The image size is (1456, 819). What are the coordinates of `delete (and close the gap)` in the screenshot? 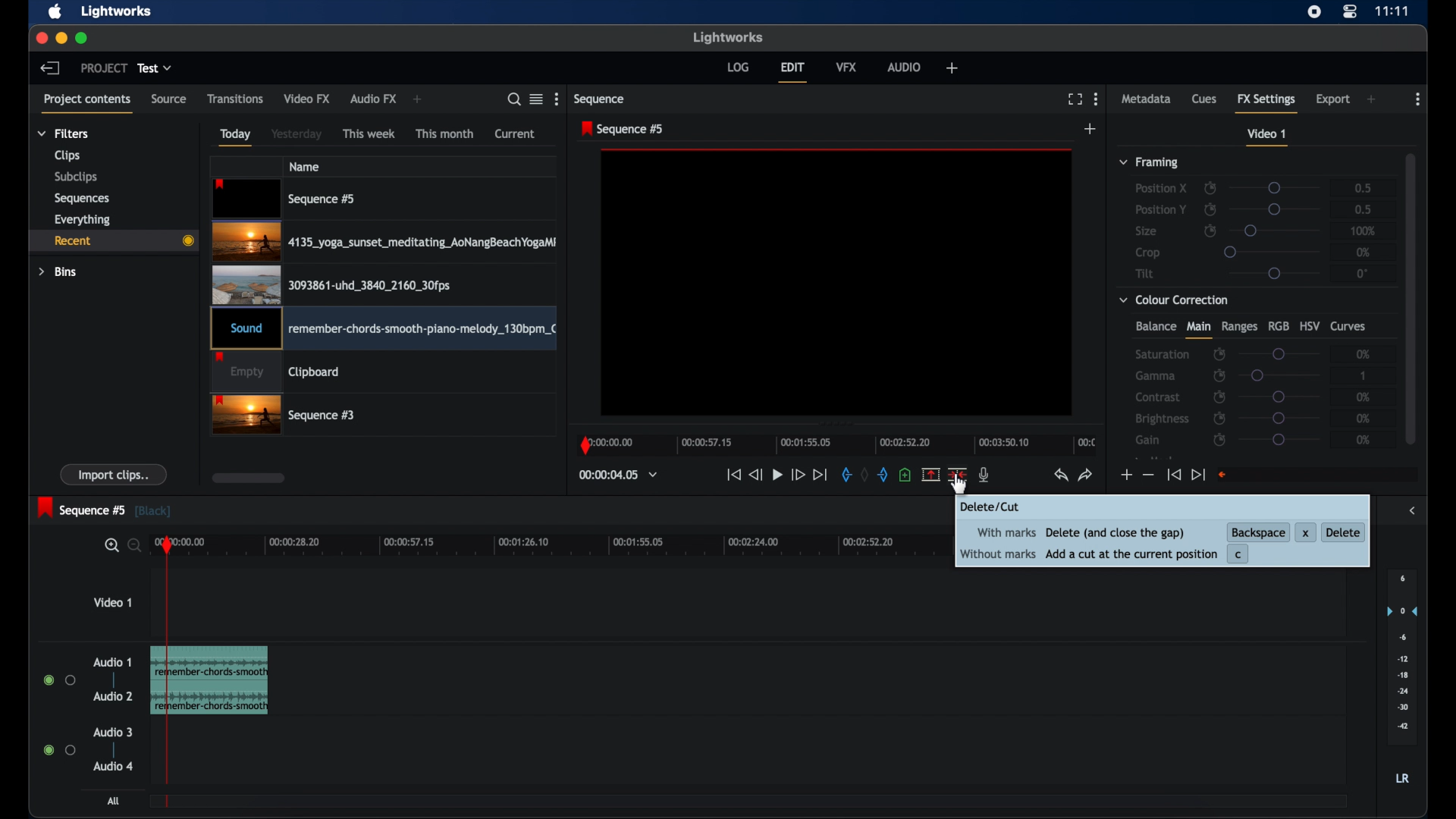 It's located at (1117, 533).